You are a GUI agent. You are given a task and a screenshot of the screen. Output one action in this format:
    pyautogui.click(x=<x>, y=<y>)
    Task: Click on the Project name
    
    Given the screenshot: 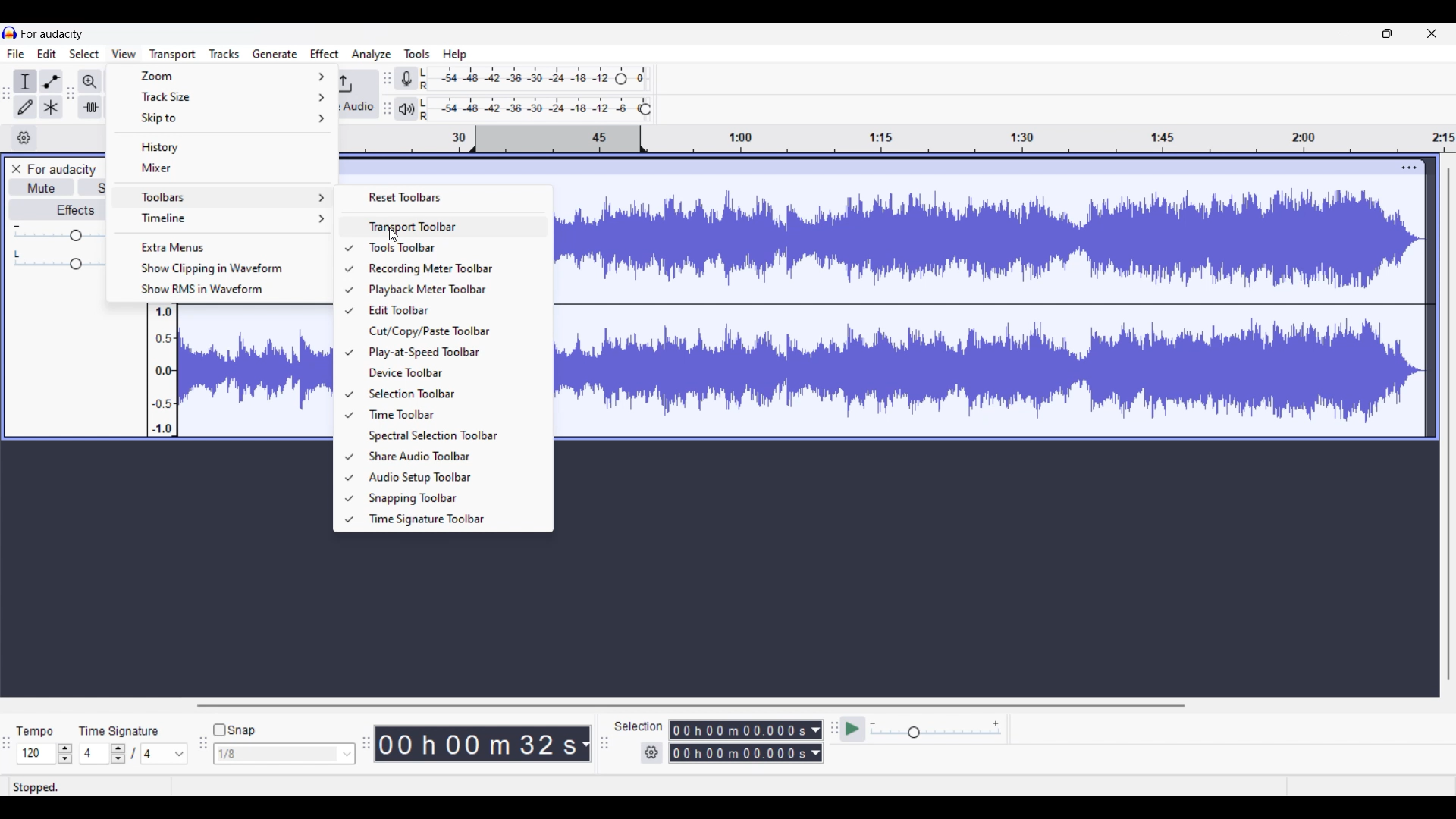 What is the action you would take?
    pyautogui.click(x=61, y=169)
    